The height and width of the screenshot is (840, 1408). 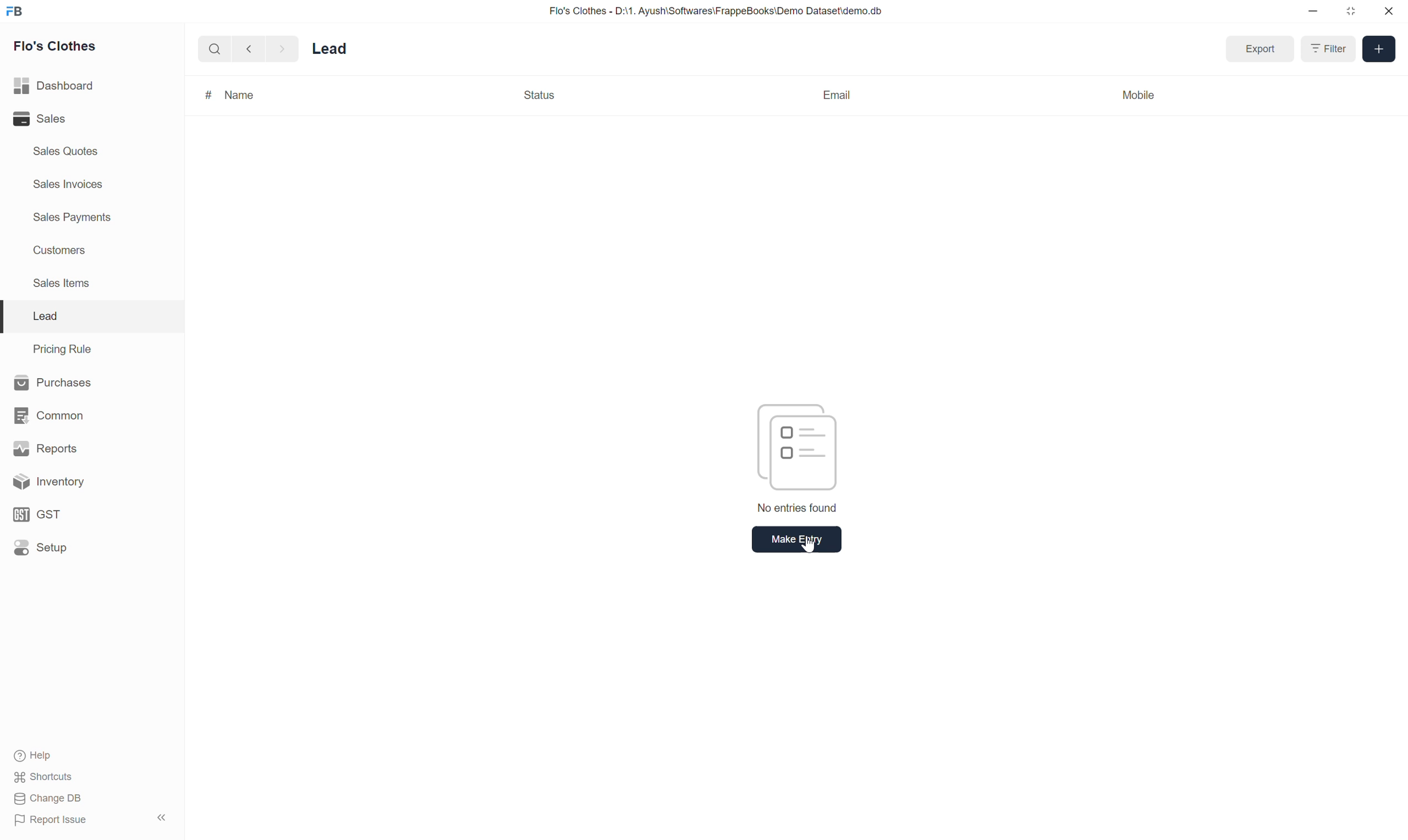 What do you see at coordinates (41, 548) in the screenshot?
I see `Setup` at bounding box center [41, 548].